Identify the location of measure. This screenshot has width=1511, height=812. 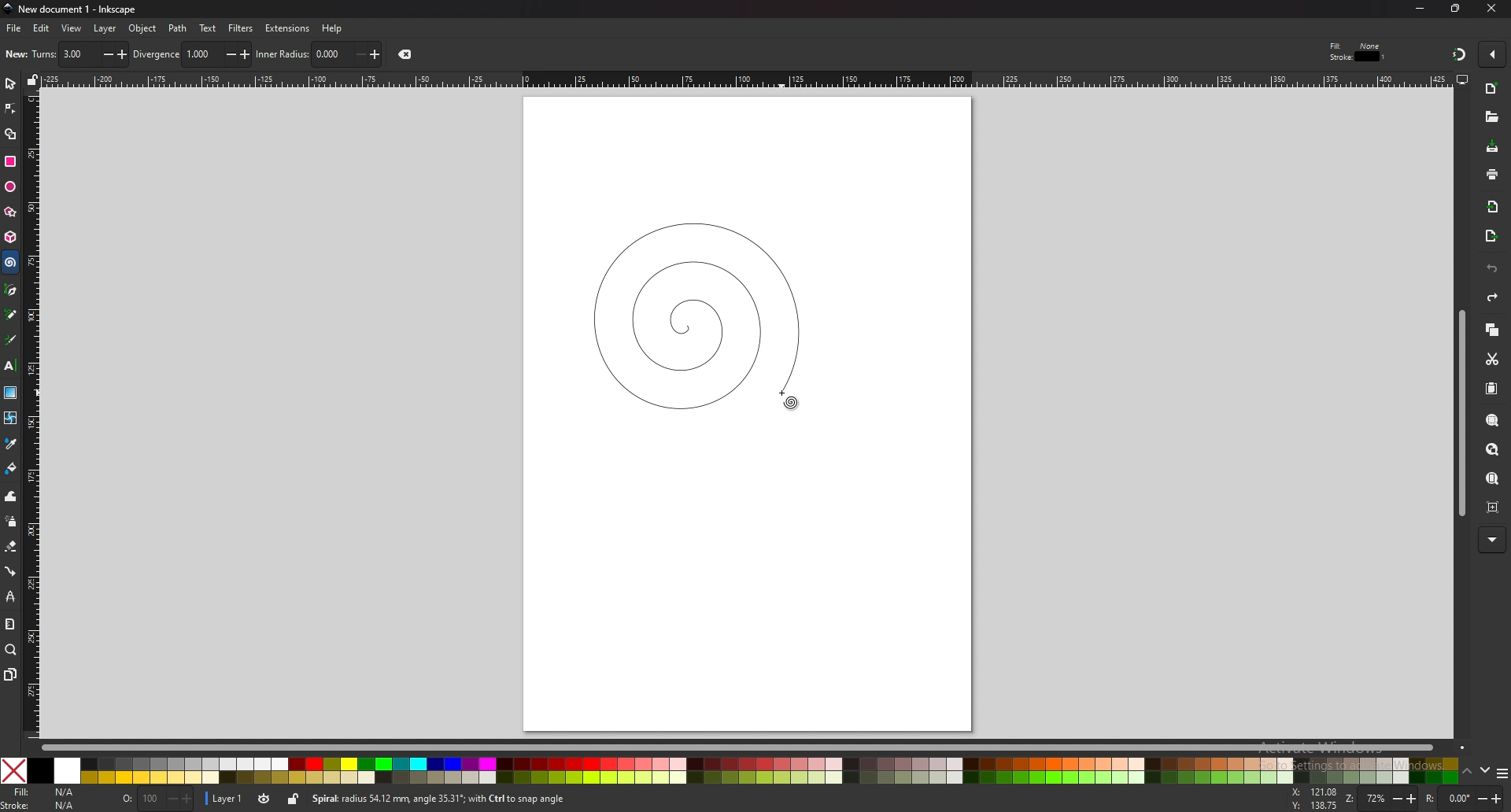
(10, 624).